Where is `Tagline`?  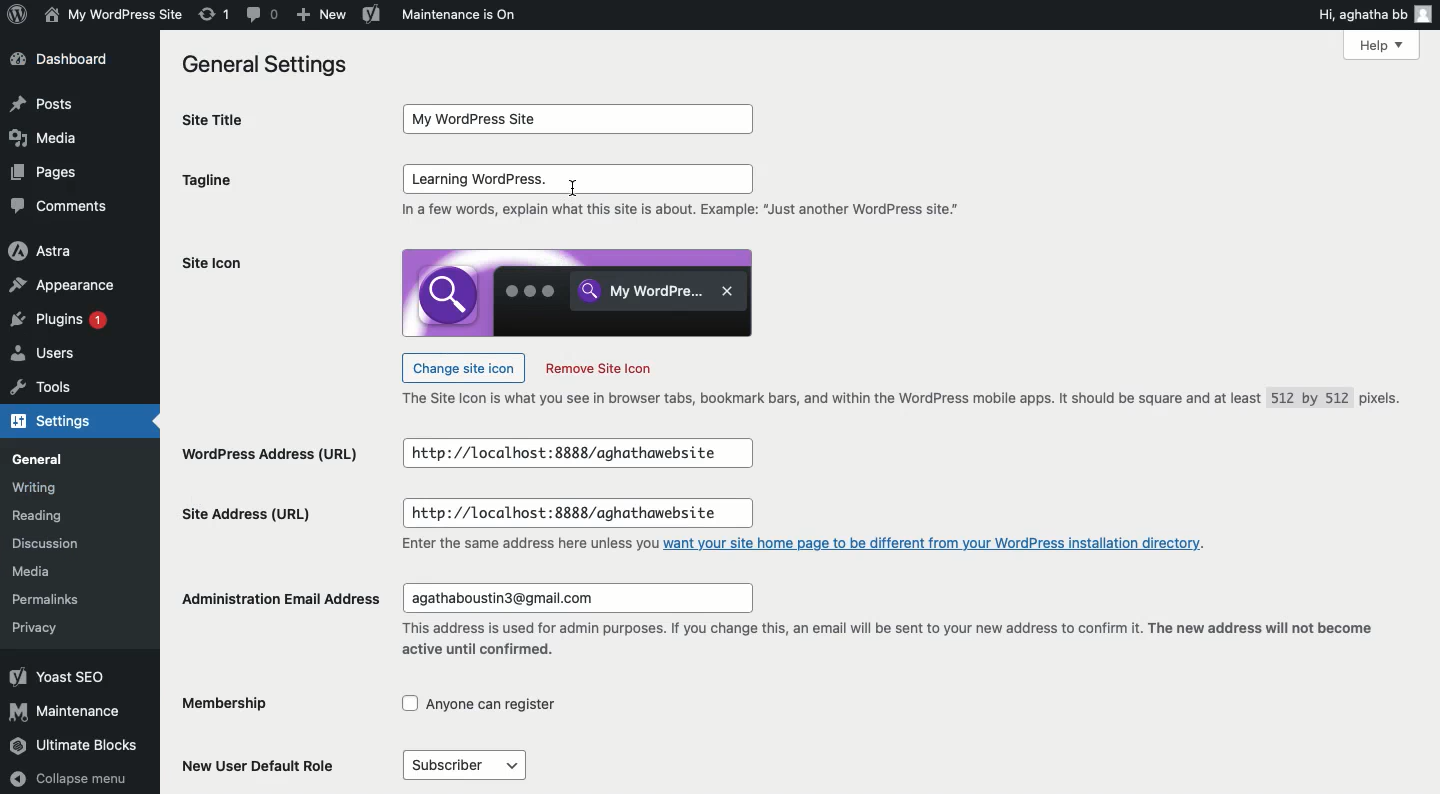
Tagline is located at coordinates (219, 177).